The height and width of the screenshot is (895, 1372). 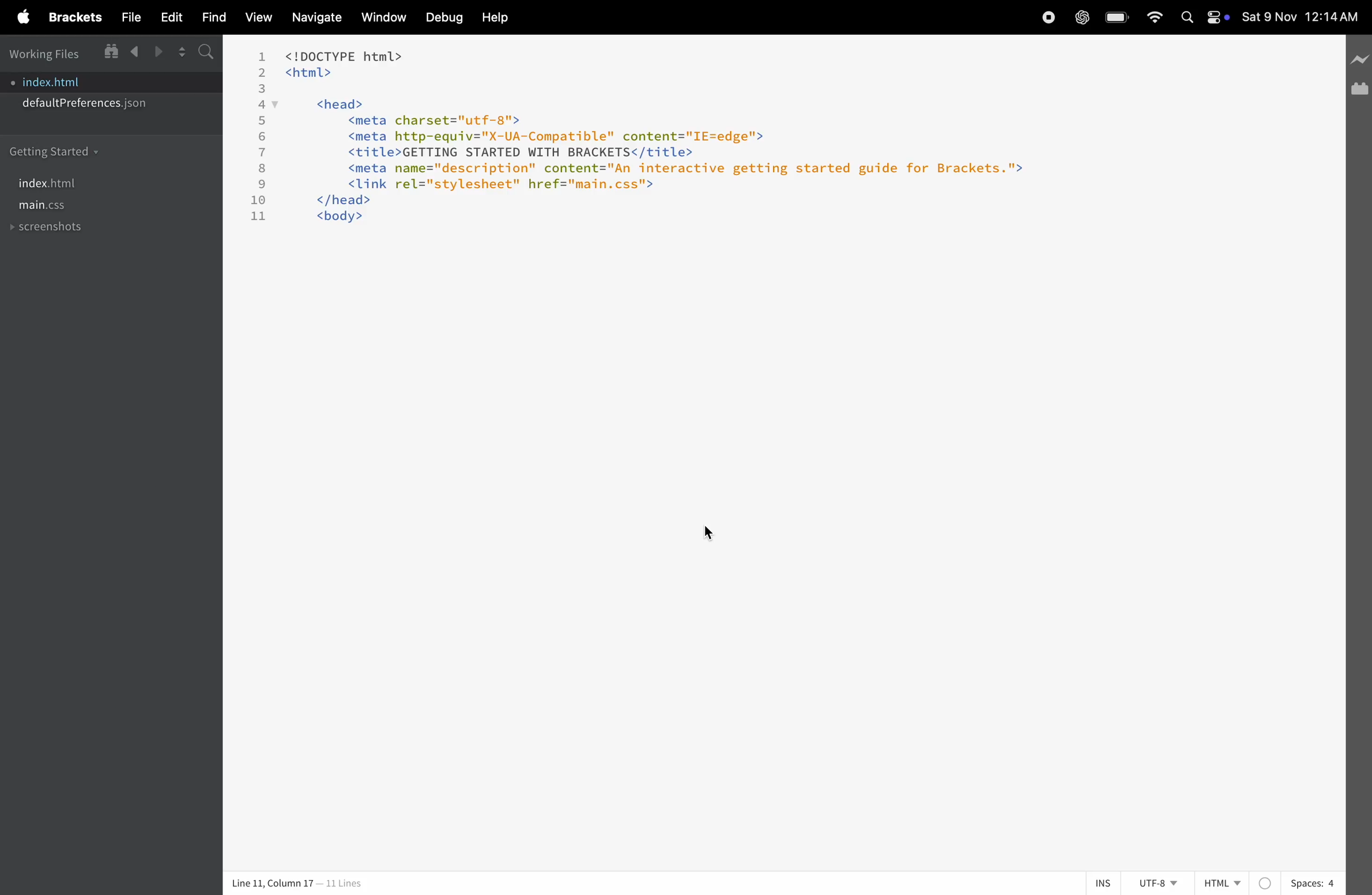 I want to click on line number, so click(x=259, y=143).